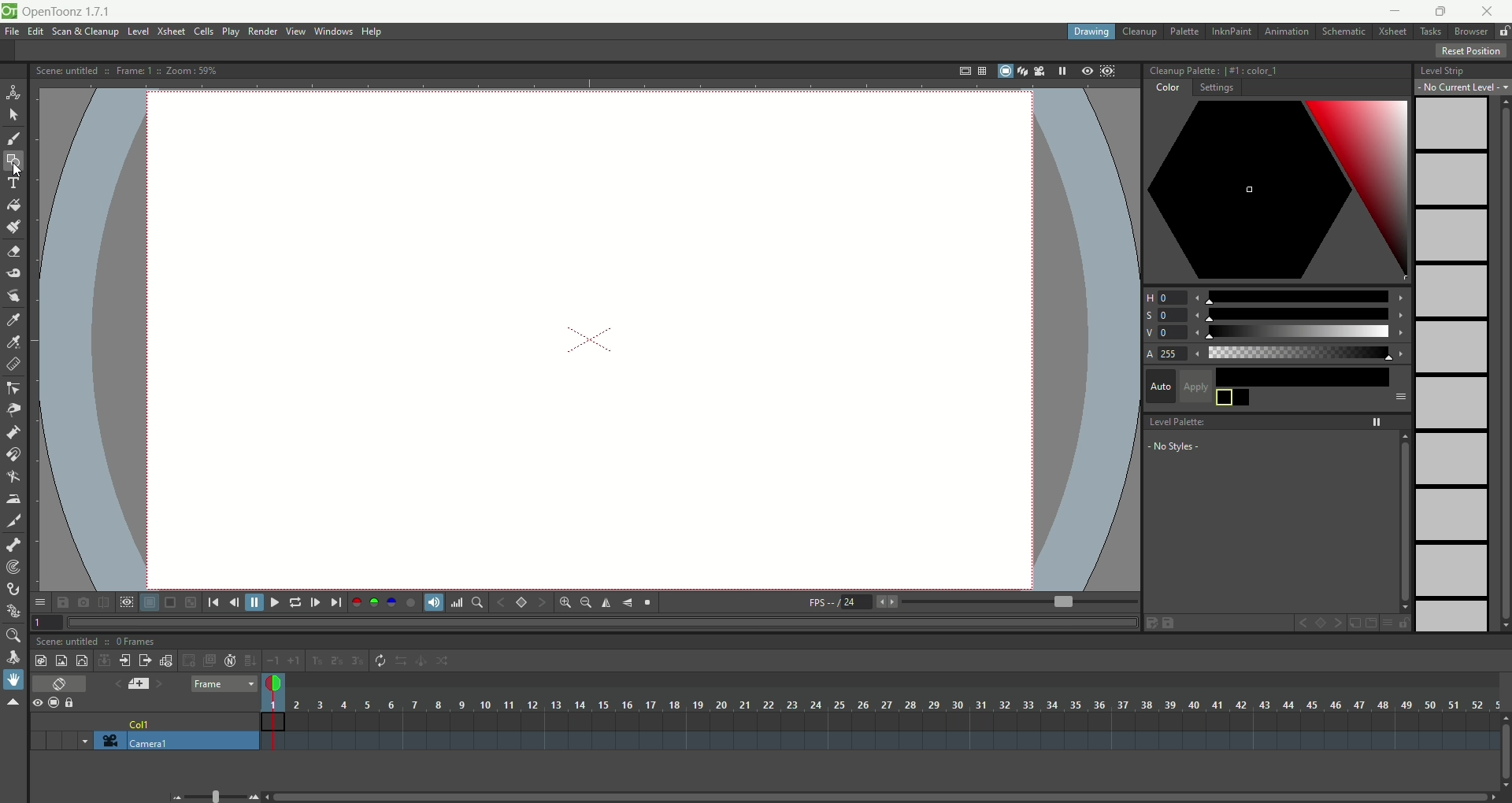  What do you see at coordinates (39, 599) in the screenshot?
I see `options` at bounding box center [39, 599].